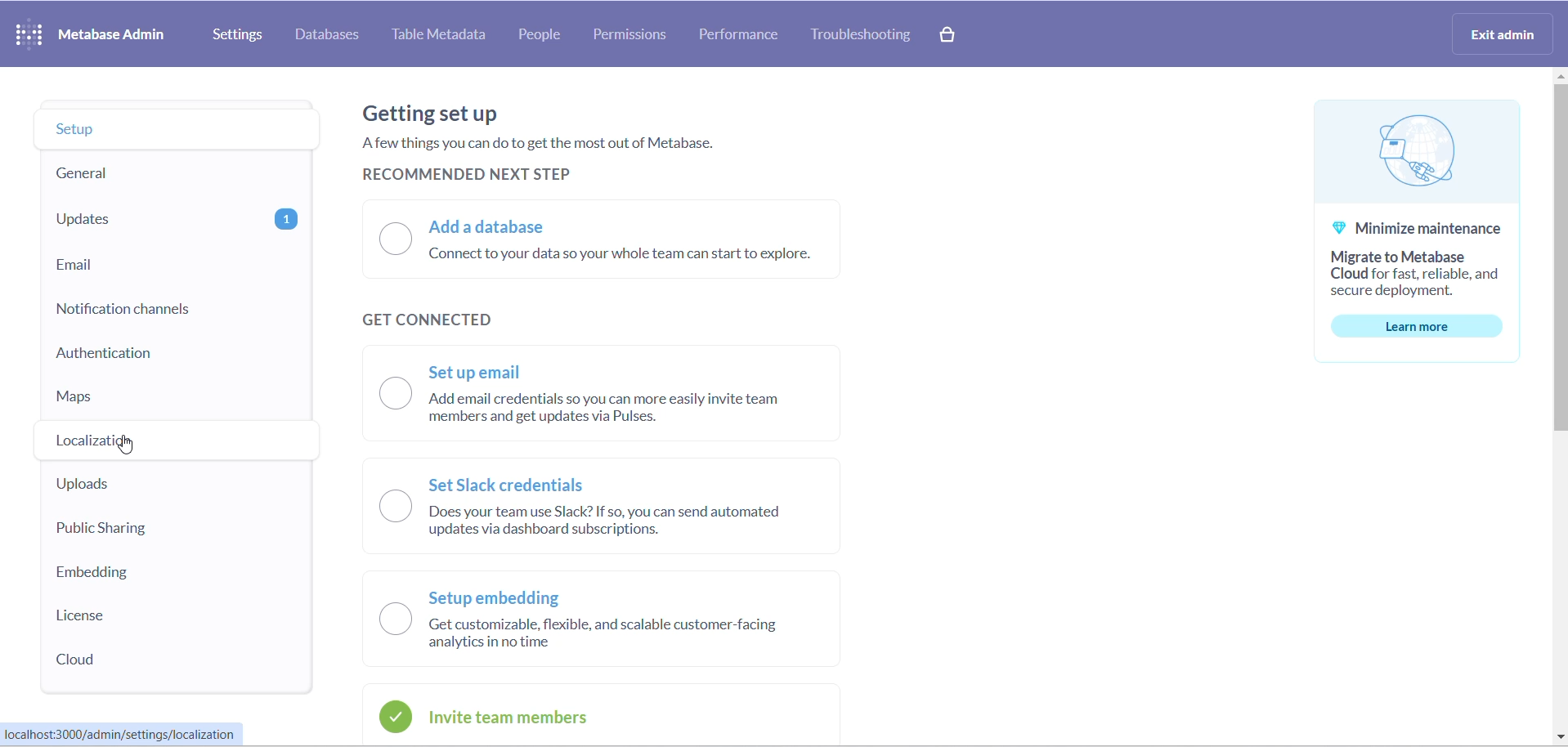 The image size is (1568, 747). What do you see at coordinates (171, 175) in the screenshot?
I see `GENERAL` at bounding box center [171, 175].